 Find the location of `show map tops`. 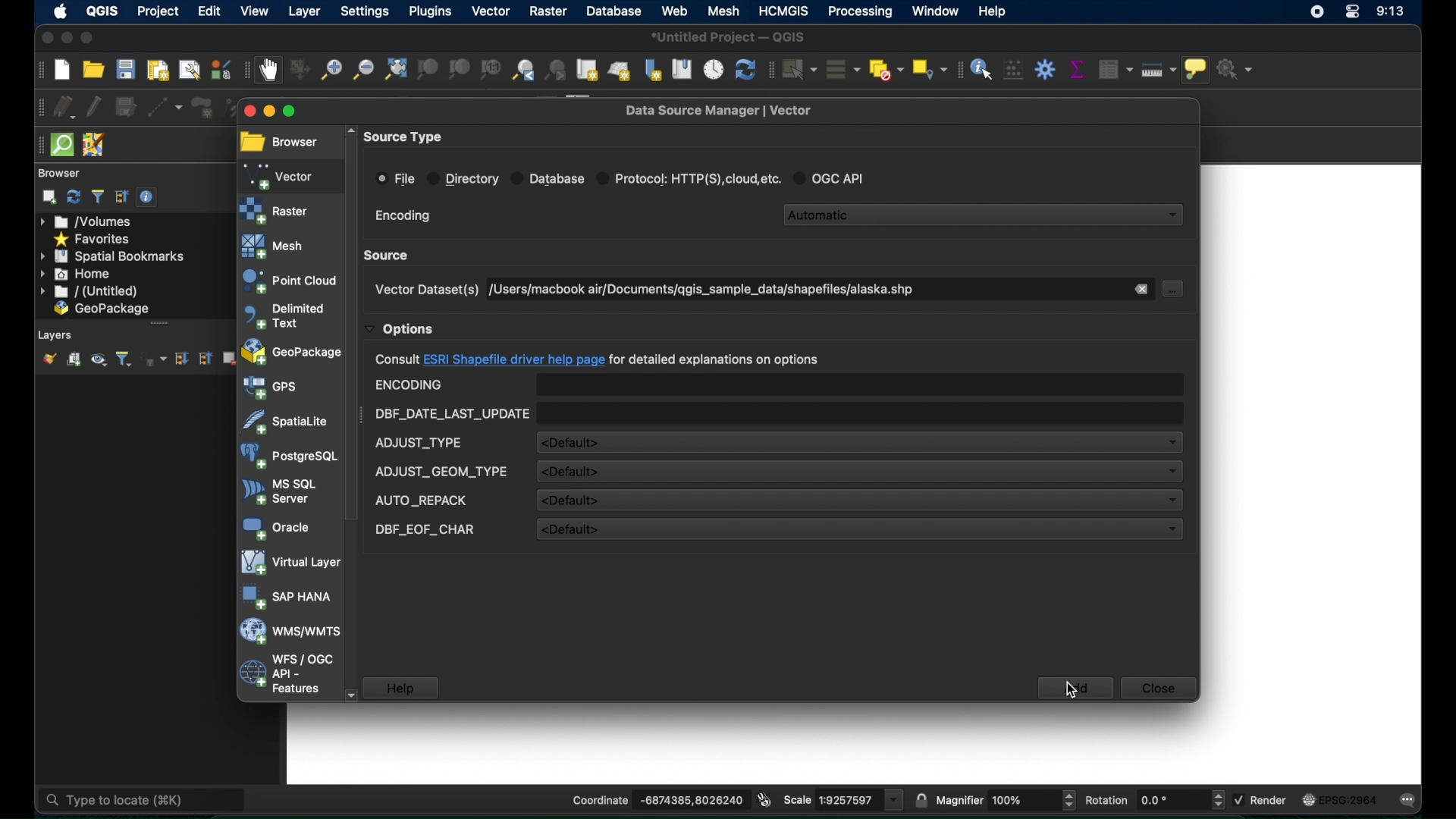

show map tops is located at coordinates (1199, 70).